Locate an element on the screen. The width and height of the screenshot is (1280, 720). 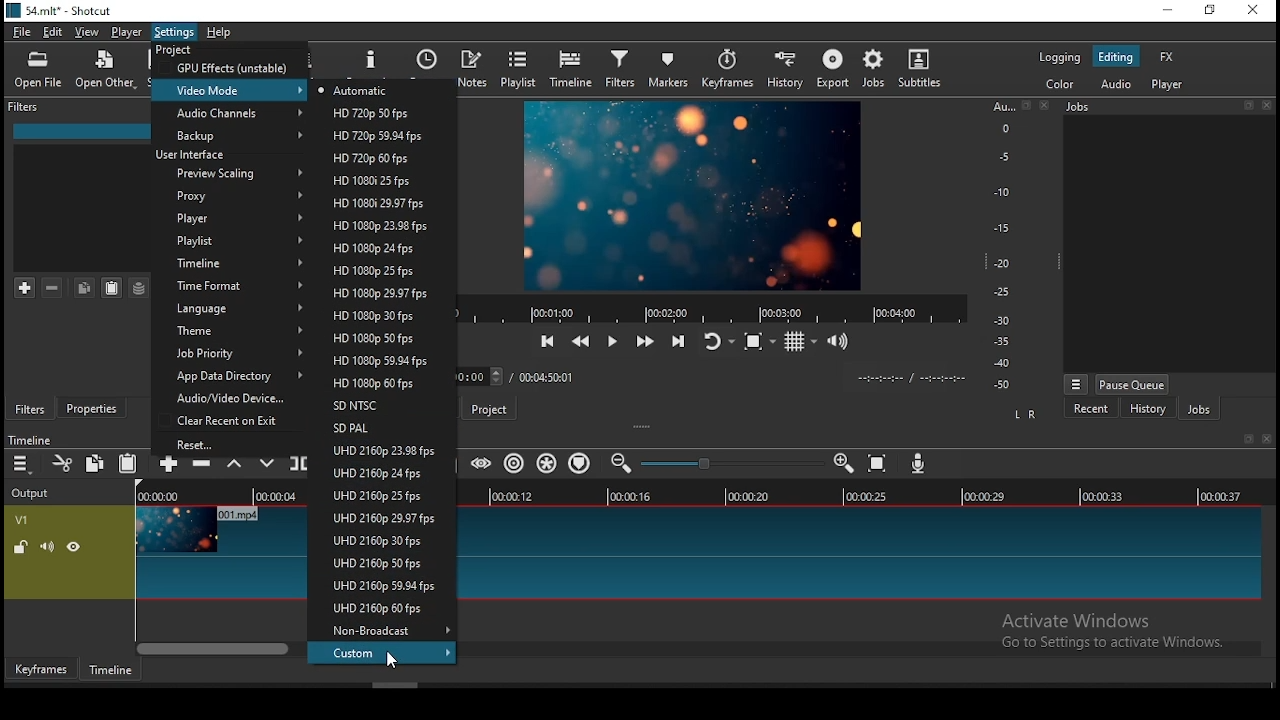
fx is located at coordinates (1169, 58).